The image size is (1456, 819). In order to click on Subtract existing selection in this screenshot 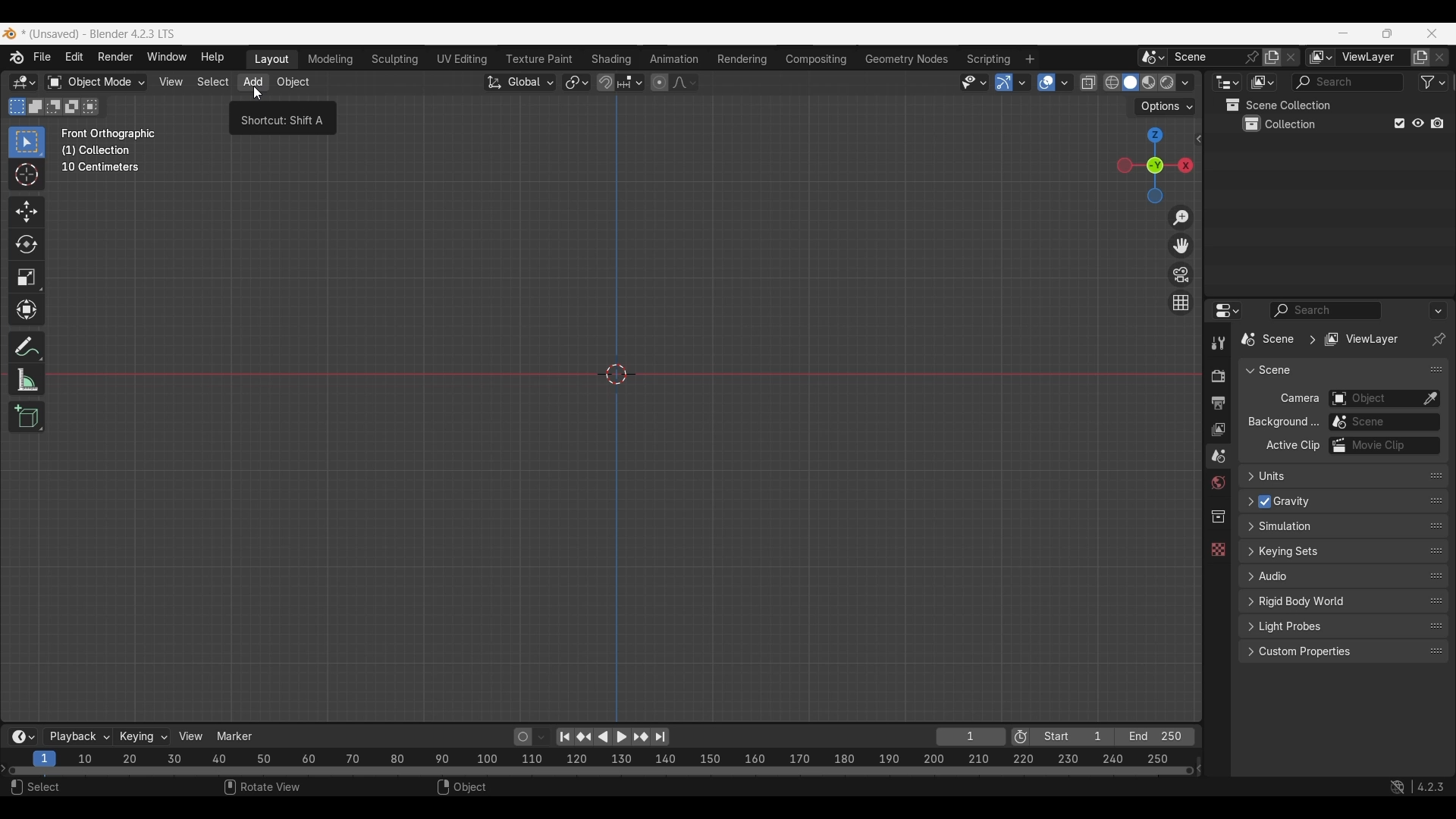, I will do `click(54, 107)`.